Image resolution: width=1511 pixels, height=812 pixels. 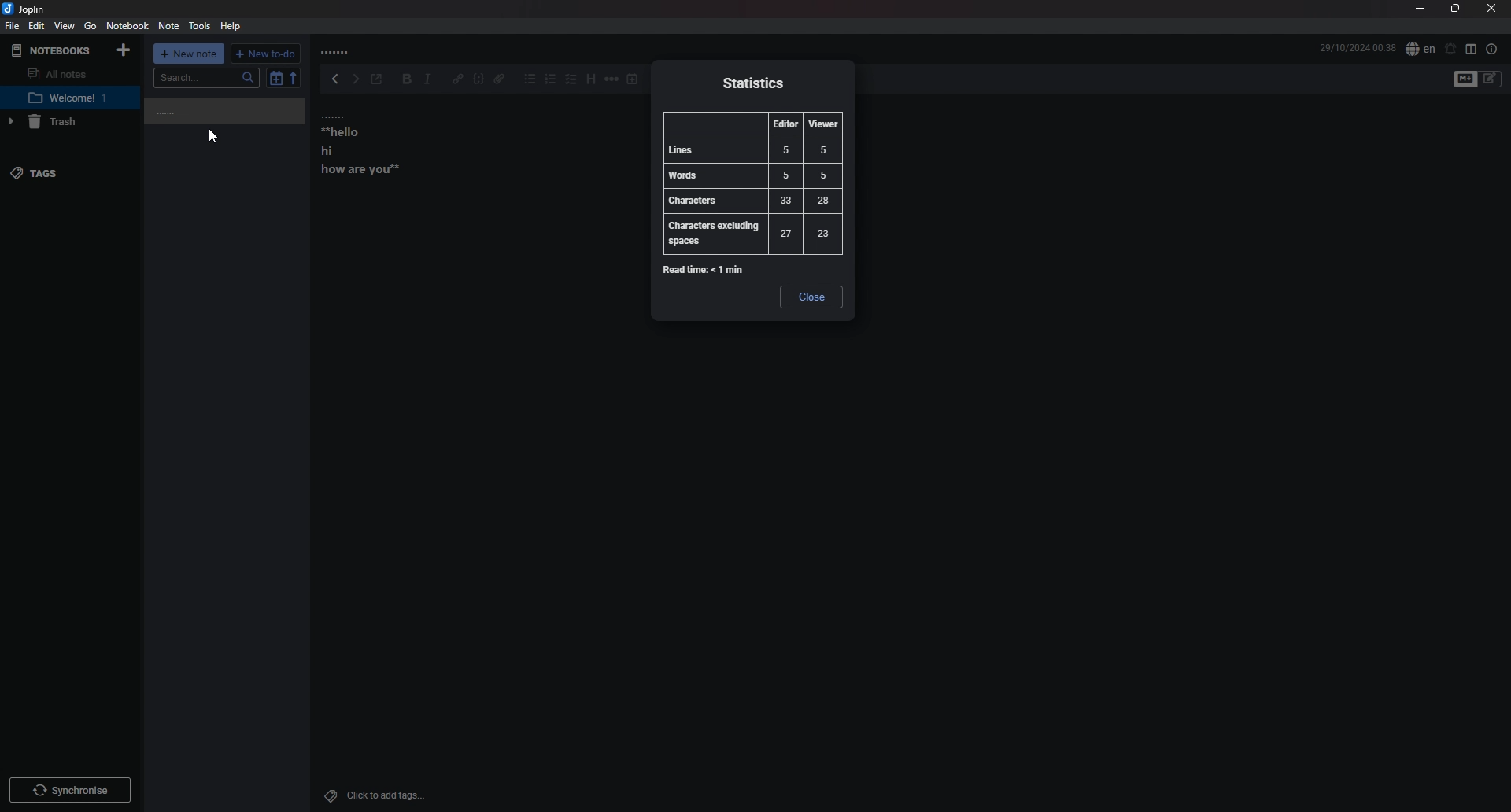 What do you see at coordinates (200, 26) in the screenshot?
I see `Tools` at bounding box center [200, 26].